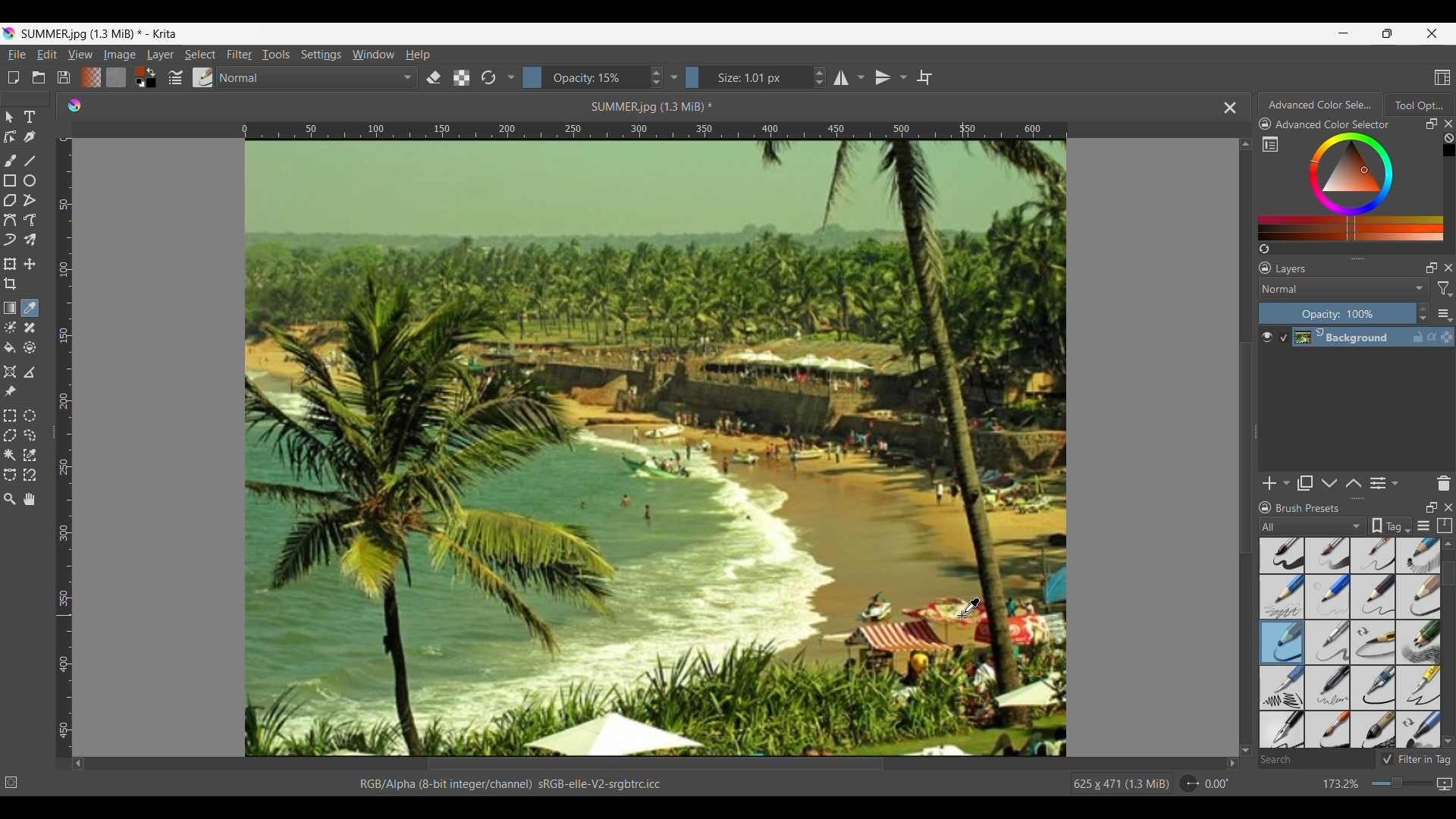 Image resolution: width=1456 pixels, height=819 pixels. What do you see at coordinates (747, 77) in the screenshot?
I see `Size: 1.01 px` at bounding box center [747, 77].